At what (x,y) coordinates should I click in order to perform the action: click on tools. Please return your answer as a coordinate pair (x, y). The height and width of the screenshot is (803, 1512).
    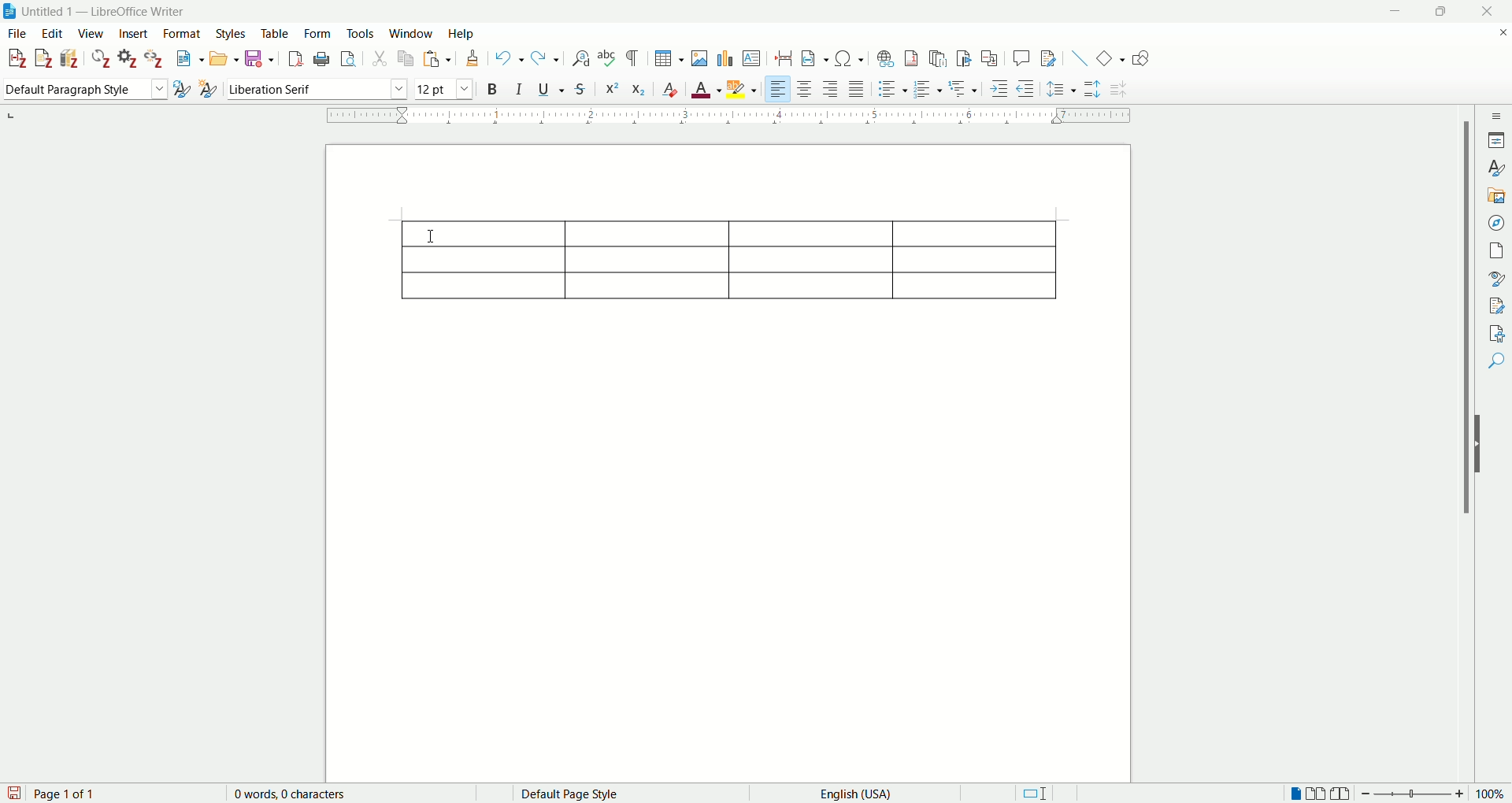
    Looking at the image, I should click on (361, 33).